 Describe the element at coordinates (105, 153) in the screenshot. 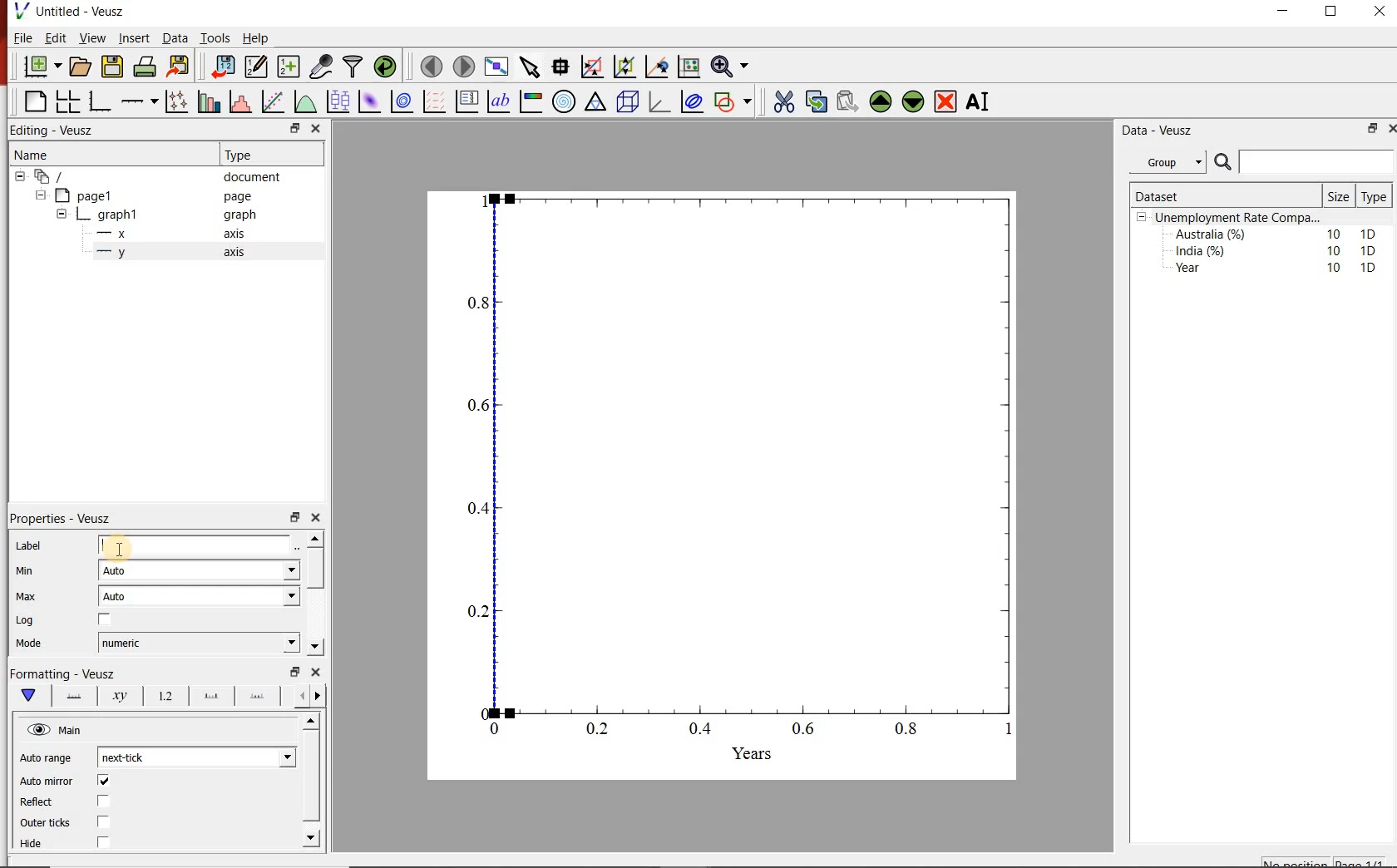

I see `Name` at that location.